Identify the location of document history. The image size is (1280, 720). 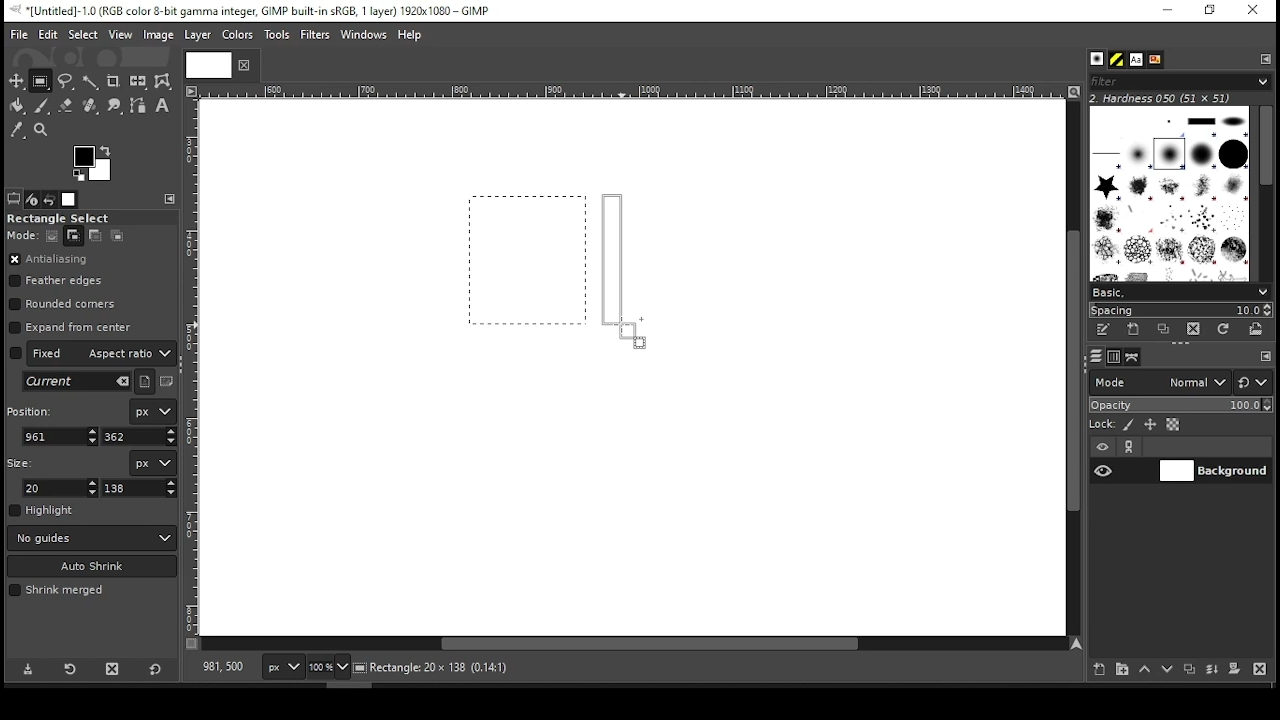
(1154, 60).